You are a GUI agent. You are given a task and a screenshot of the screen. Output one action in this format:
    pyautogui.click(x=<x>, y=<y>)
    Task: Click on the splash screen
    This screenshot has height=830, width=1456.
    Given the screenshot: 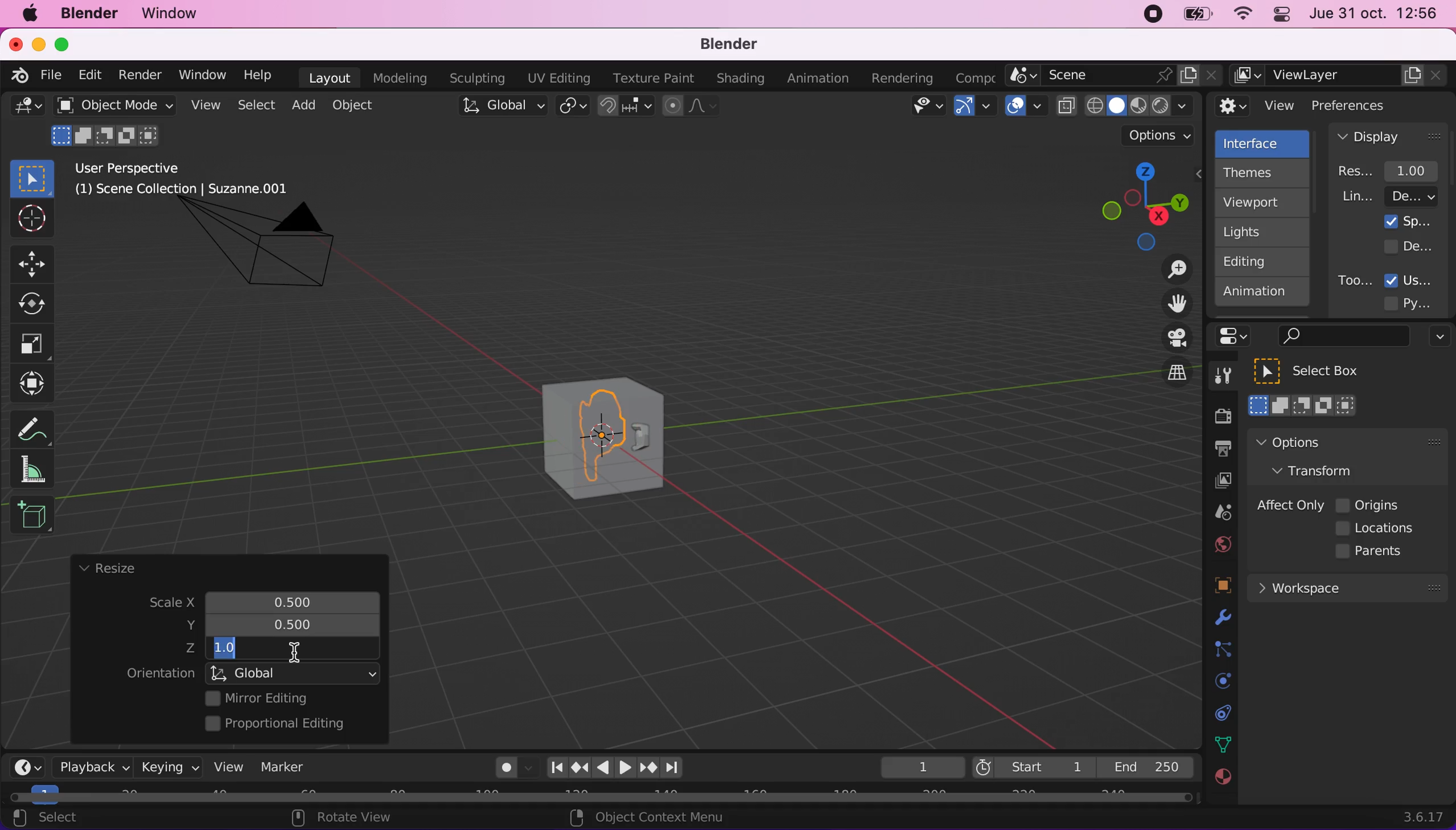 What is the action you would take?
    pyautogui.click(x=1408, y=221)
    